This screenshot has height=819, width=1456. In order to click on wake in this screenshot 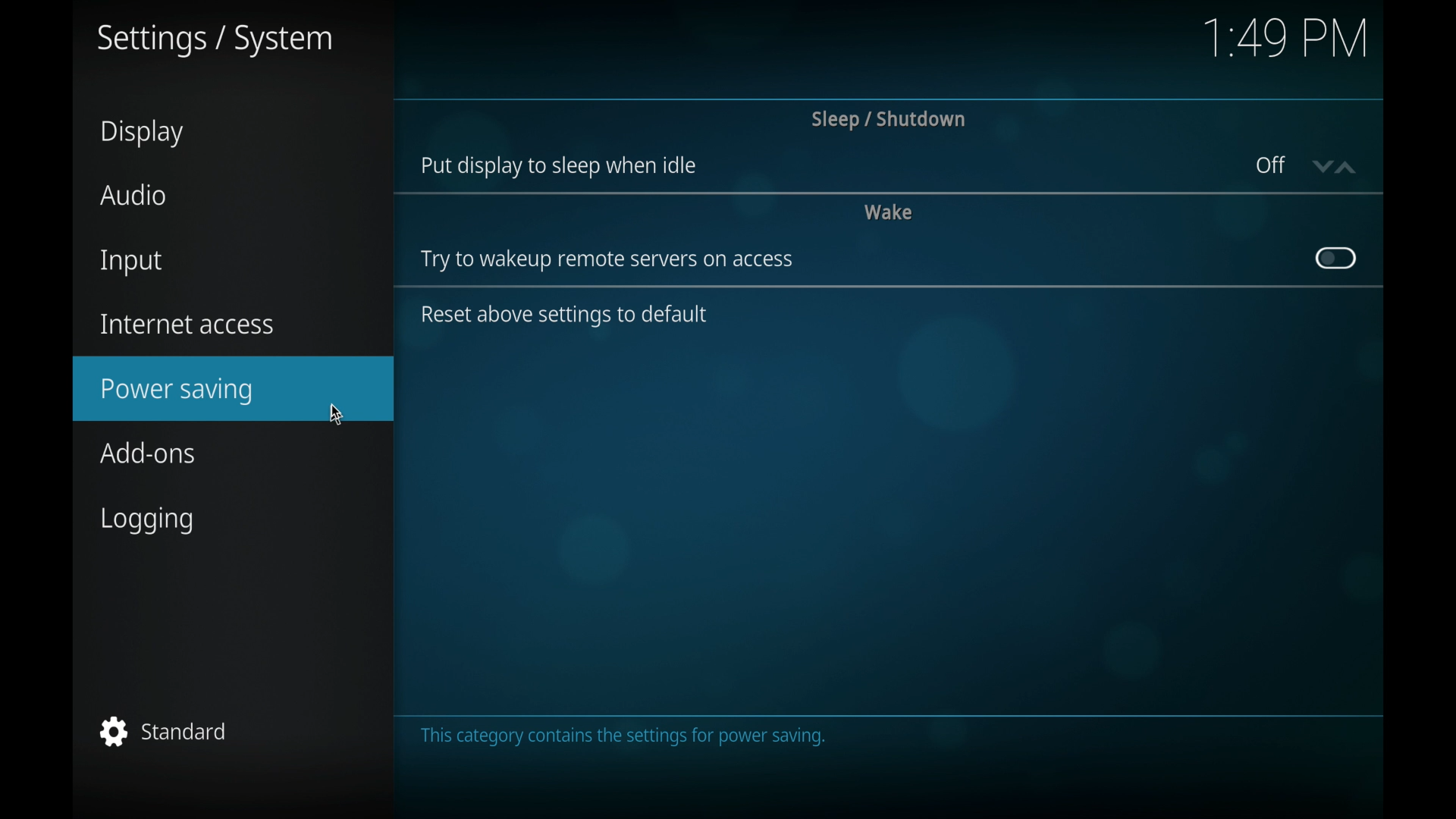, I will do `click(889, 211)`.